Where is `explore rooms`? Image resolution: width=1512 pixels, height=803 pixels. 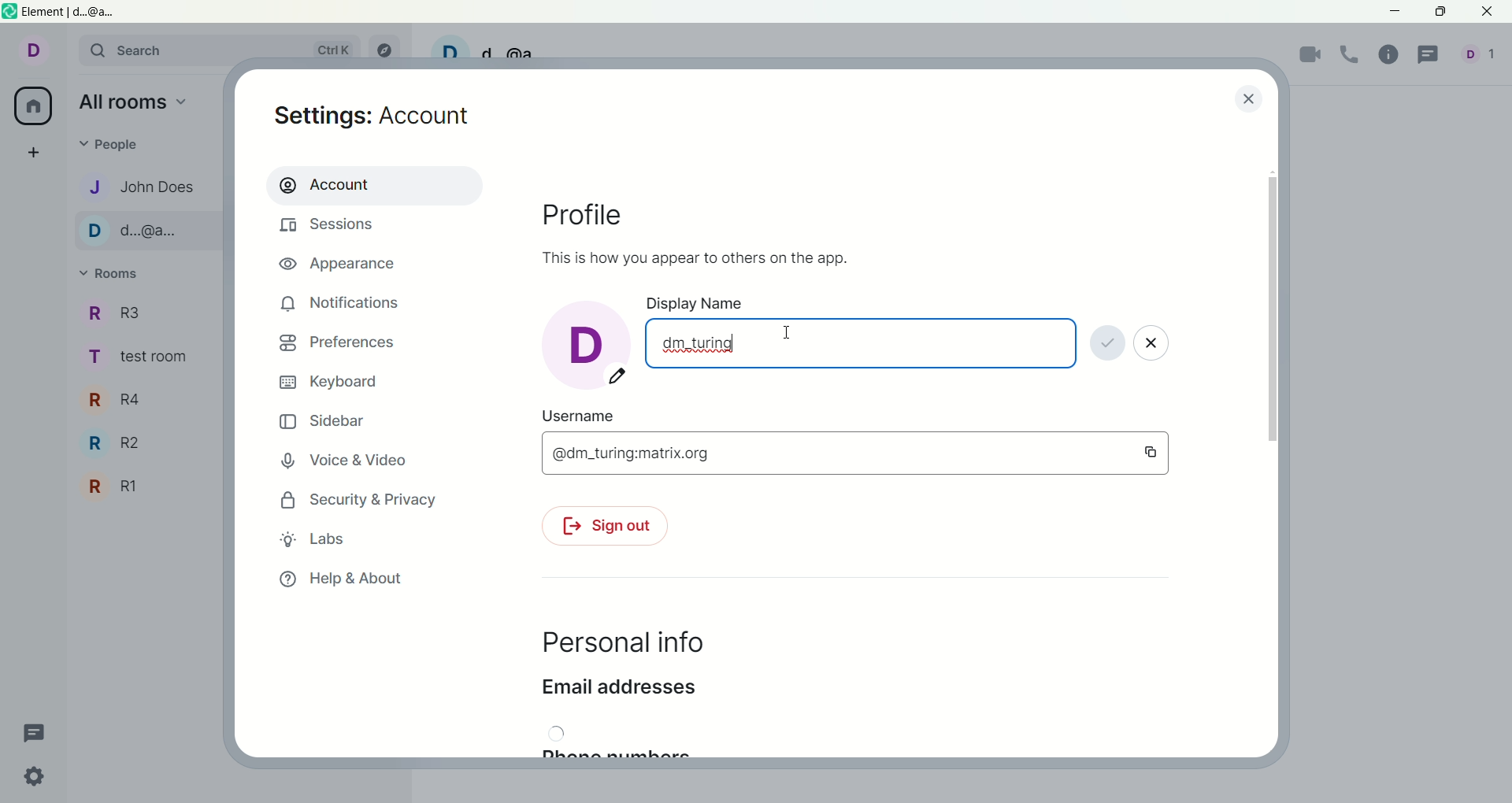
explore rooms is located at coordinates (389, 50).